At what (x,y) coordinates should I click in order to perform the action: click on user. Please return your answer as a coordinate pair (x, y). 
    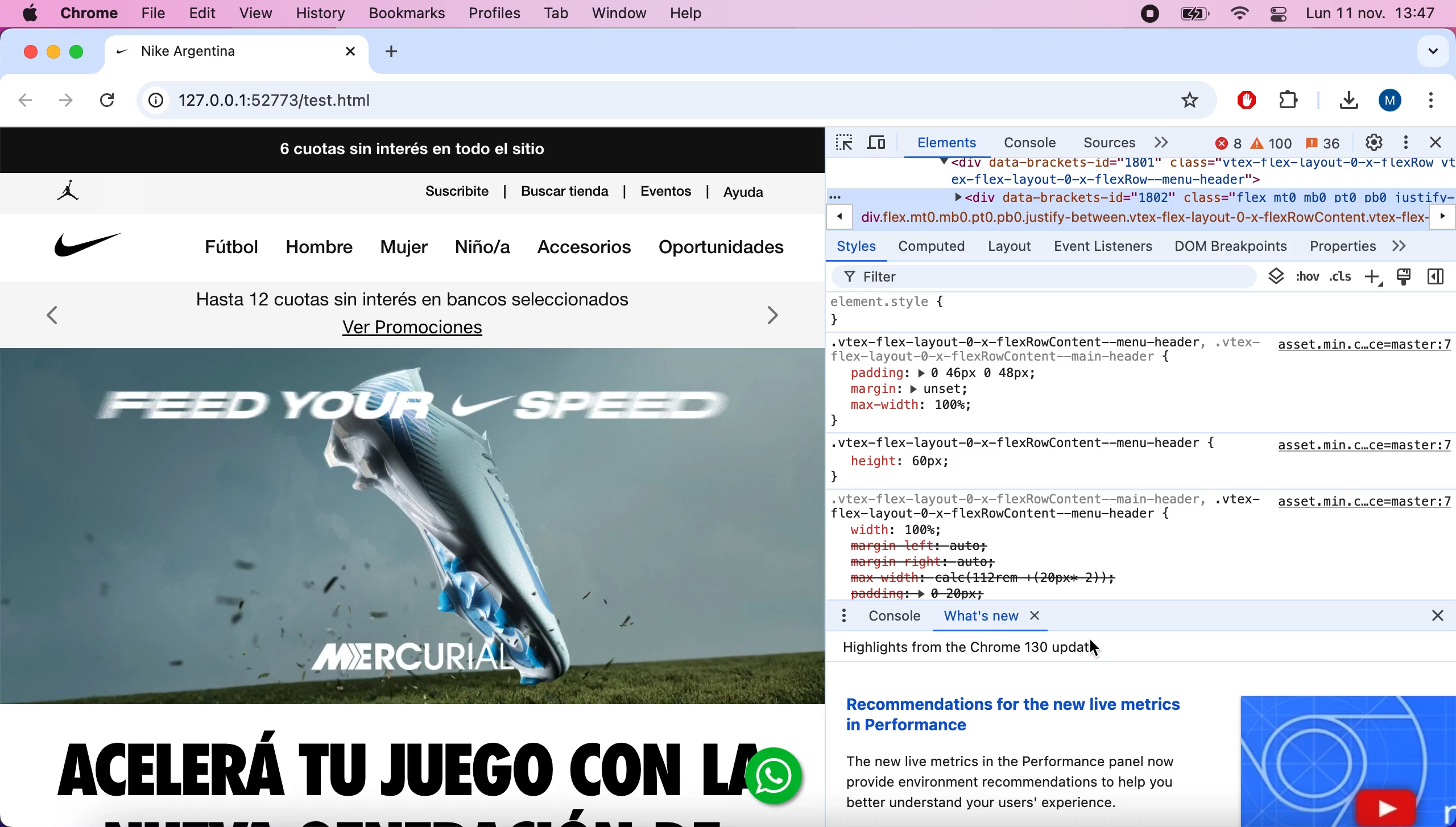
    Looking at the image, I should click on (1391, 101).